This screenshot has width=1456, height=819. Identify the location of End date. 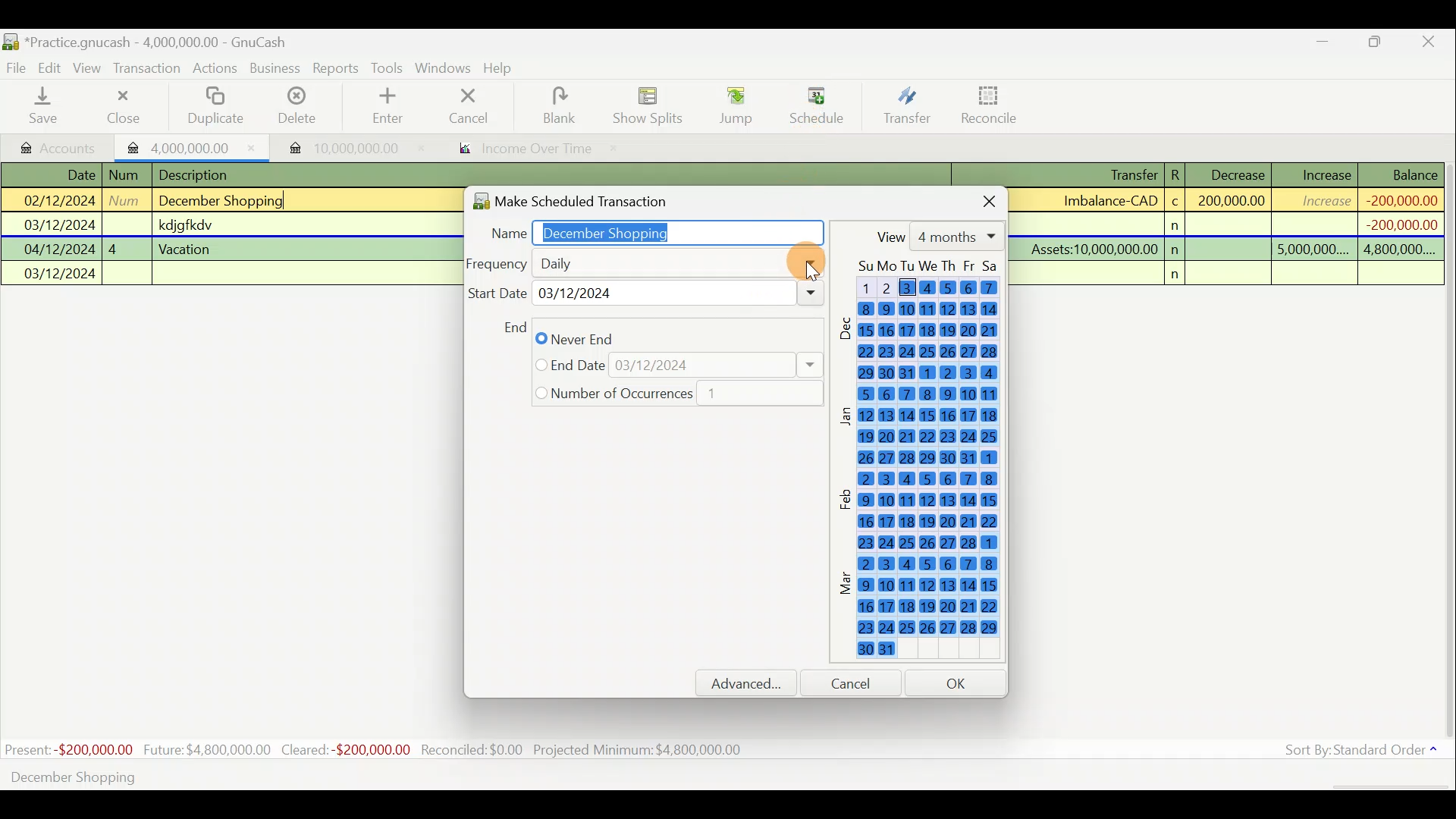
(677, 366).